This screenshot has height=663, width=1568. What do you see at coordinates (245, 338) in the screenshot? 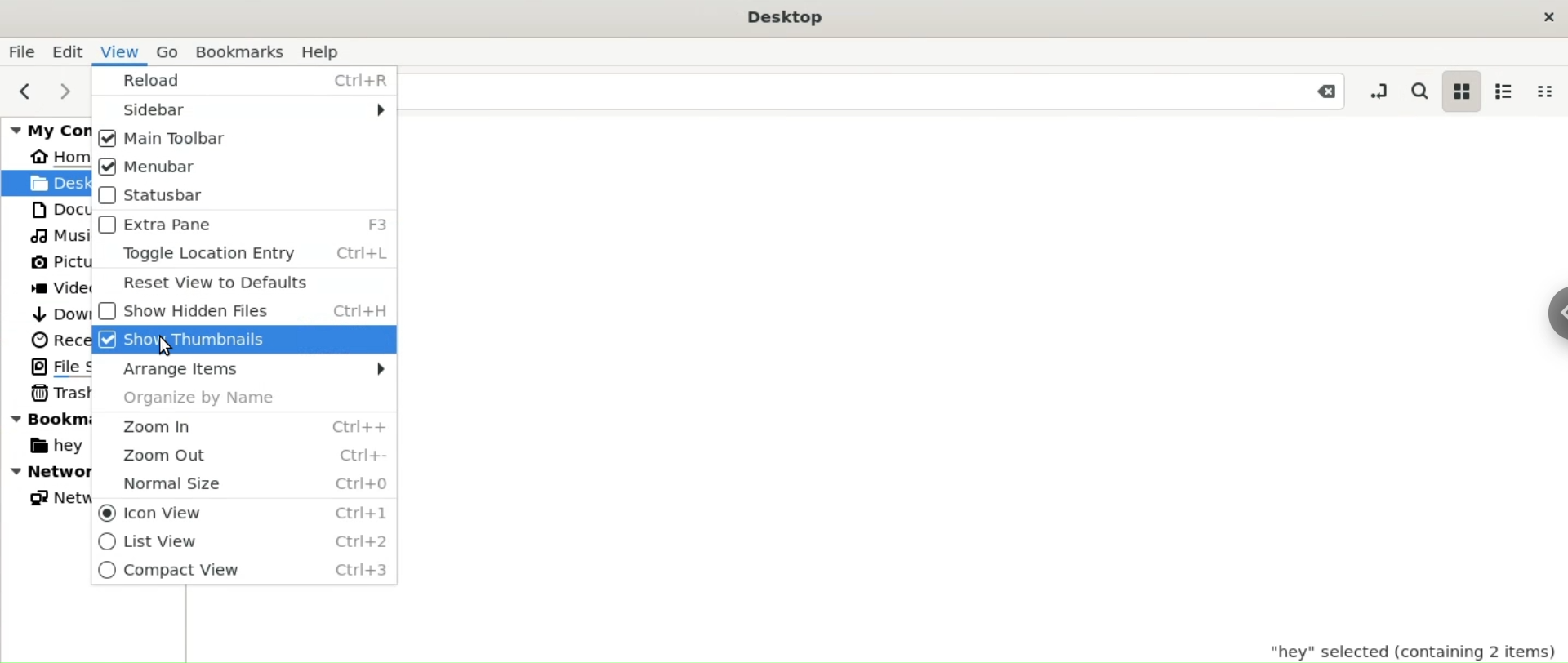
I see `Show Thumbnails` at bounding box center [245, 338].